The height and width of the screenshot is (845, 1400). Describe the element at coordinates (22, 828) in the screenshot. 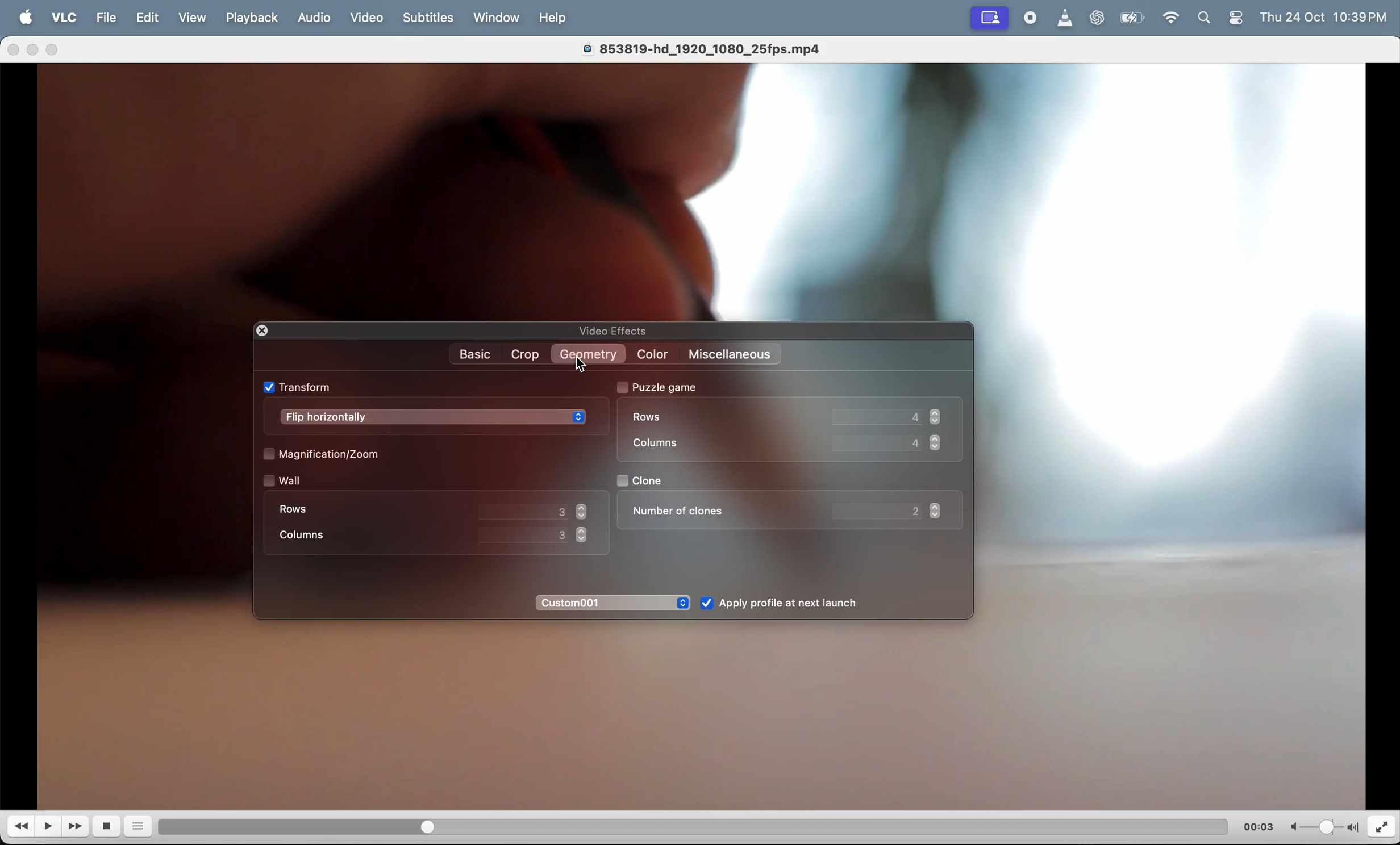

I see `reverse` at that location.